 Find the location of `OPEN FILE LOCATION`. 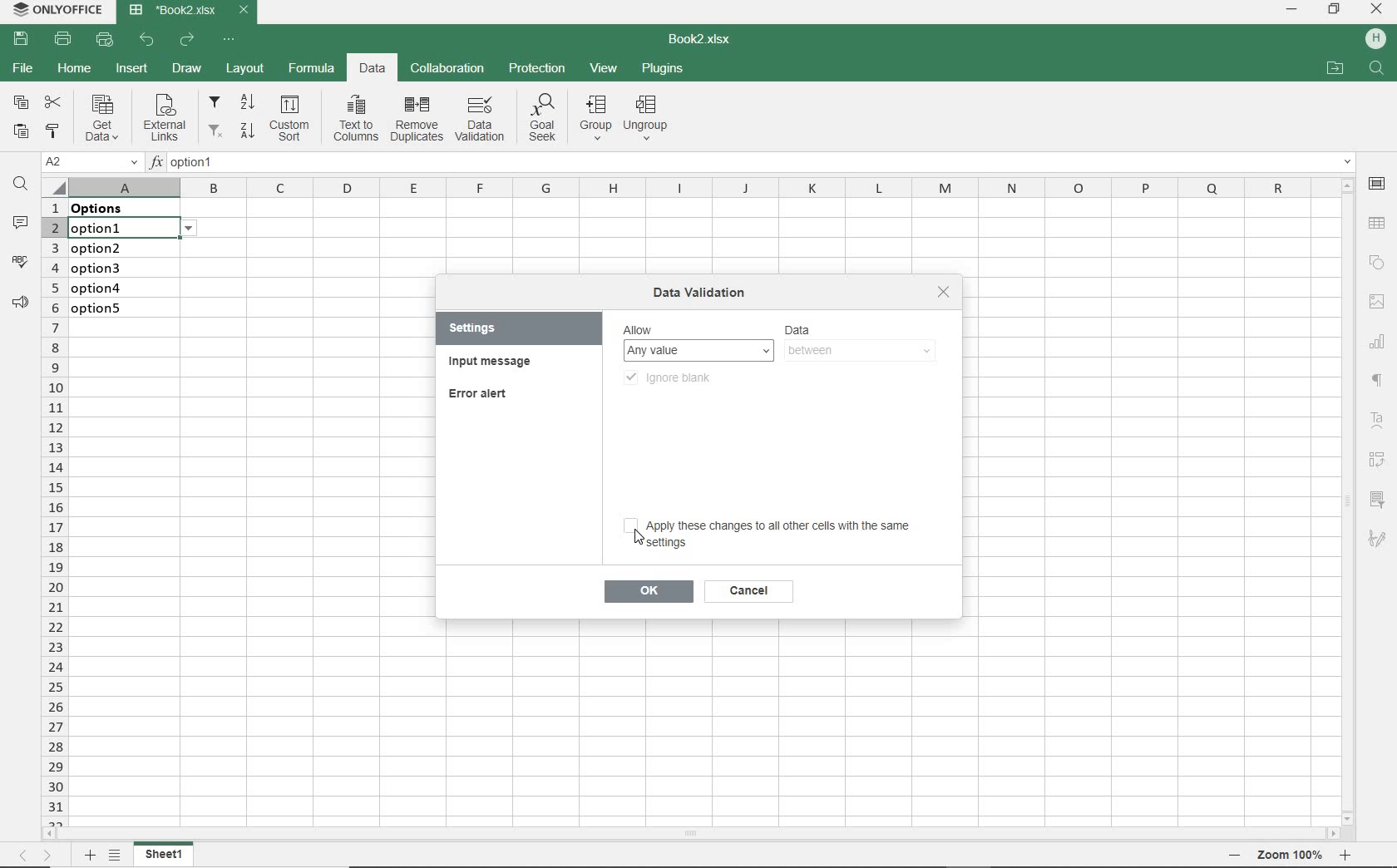

OPEN FILE LOCATION is located at coordinates (1335, 67).